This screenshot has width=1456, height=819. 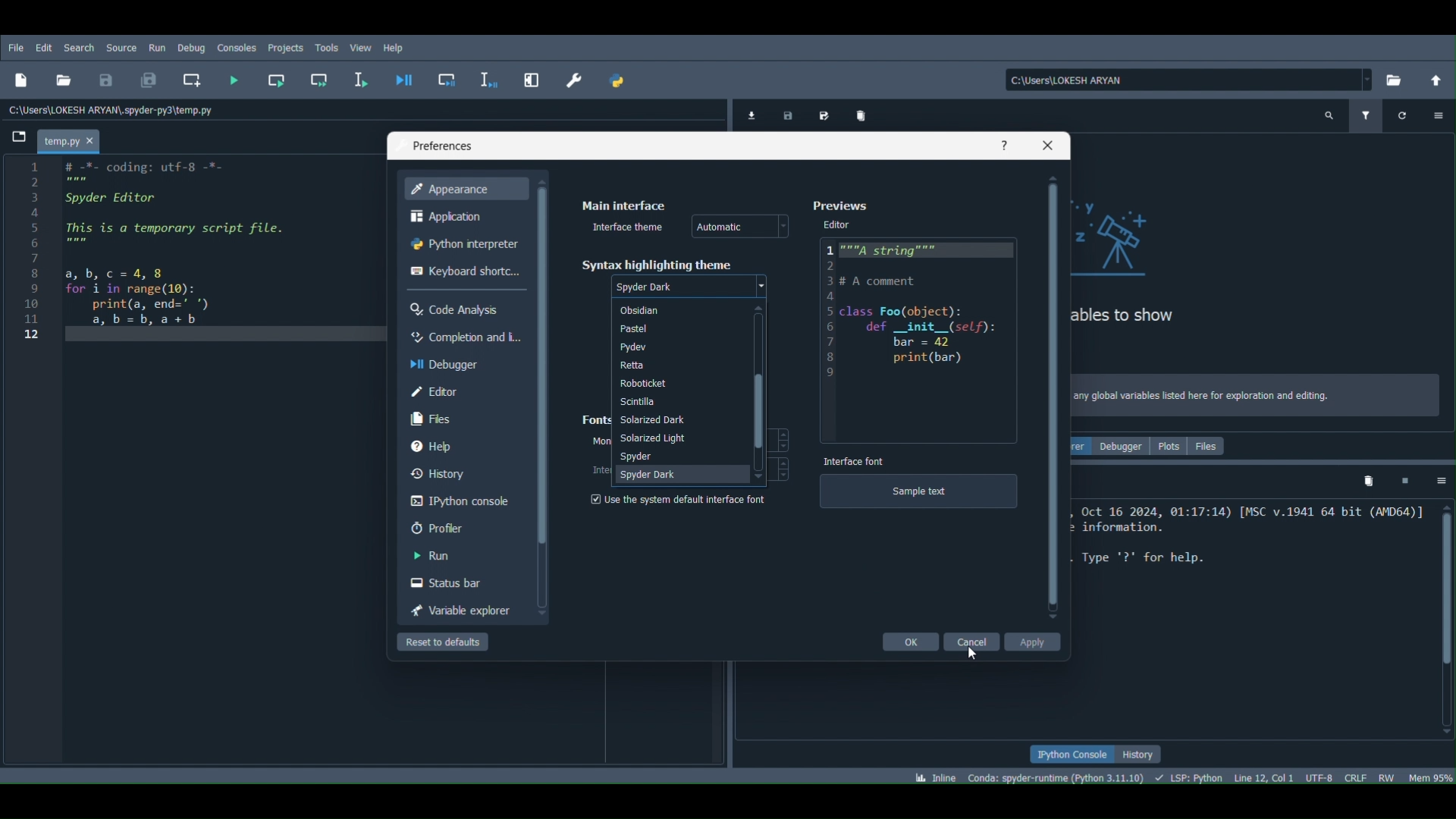 I want to click on Python Interpreter, so click(x=466, y=242).